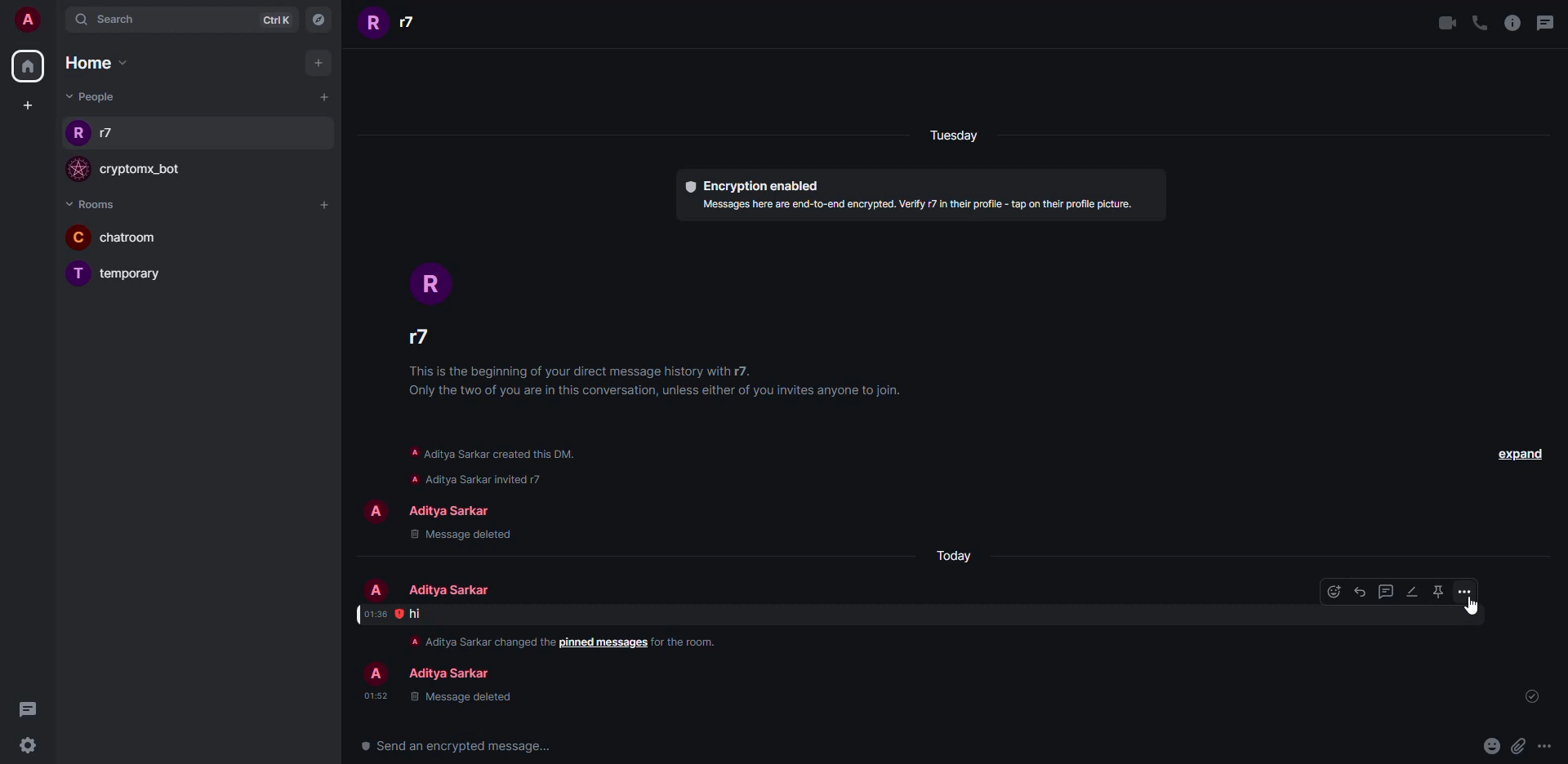 This screenshot has width=1568, height=764. I want to click on profile, so click(377, 590).